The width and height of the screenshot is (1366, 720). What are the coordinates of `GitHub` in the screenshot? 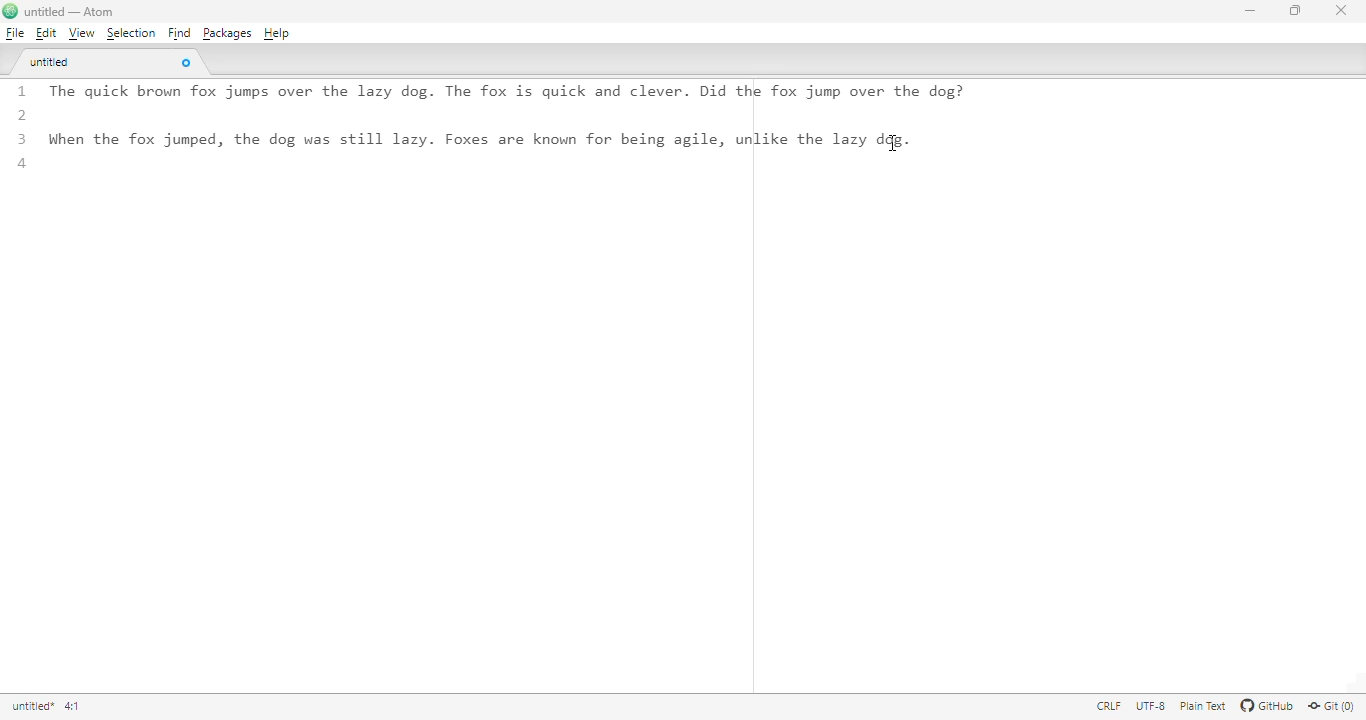 It's located at (1267, 707).